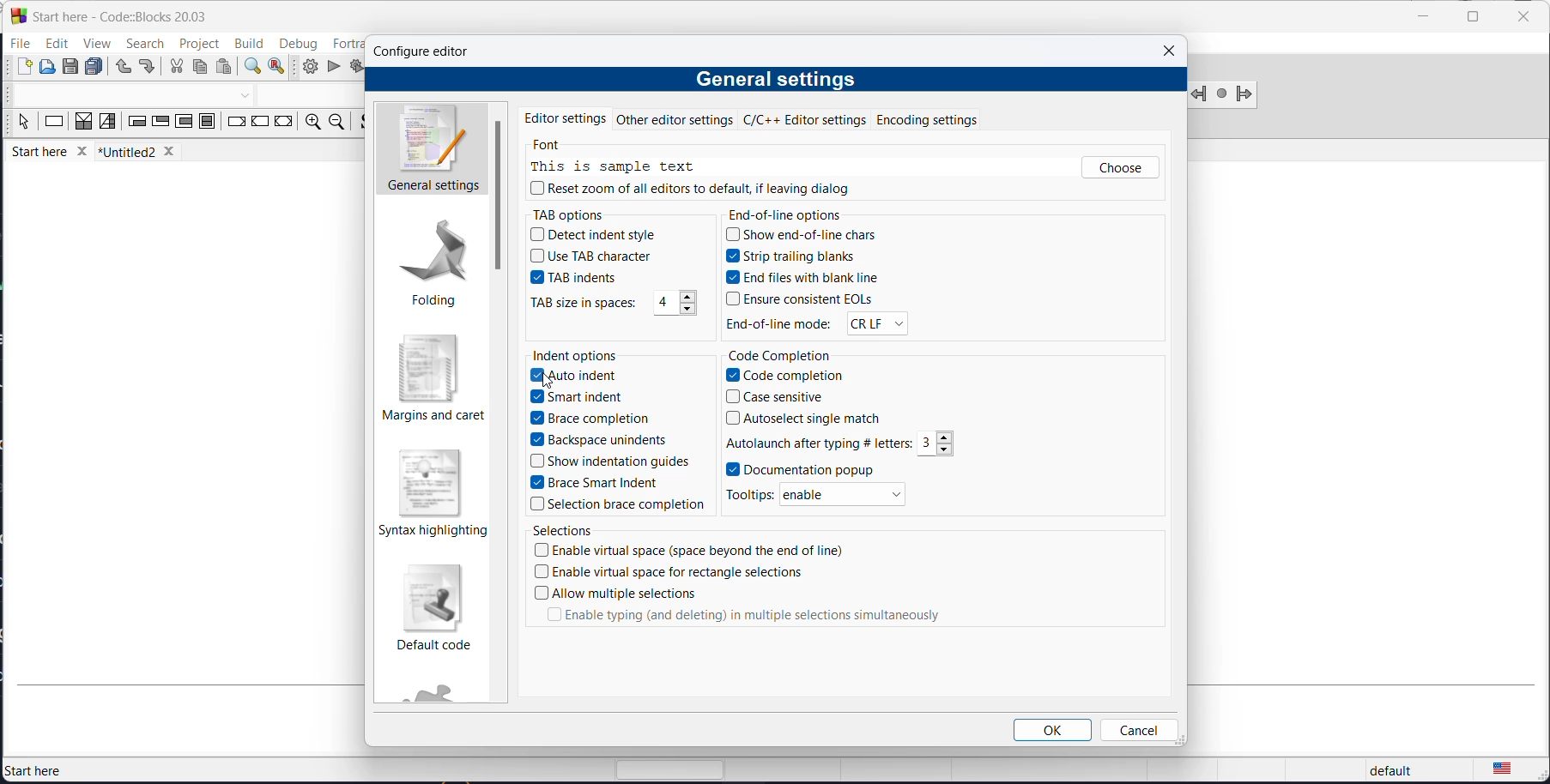  Describe the element at coordinates (569, 533) in the screenshot. I see `selections` at that location.